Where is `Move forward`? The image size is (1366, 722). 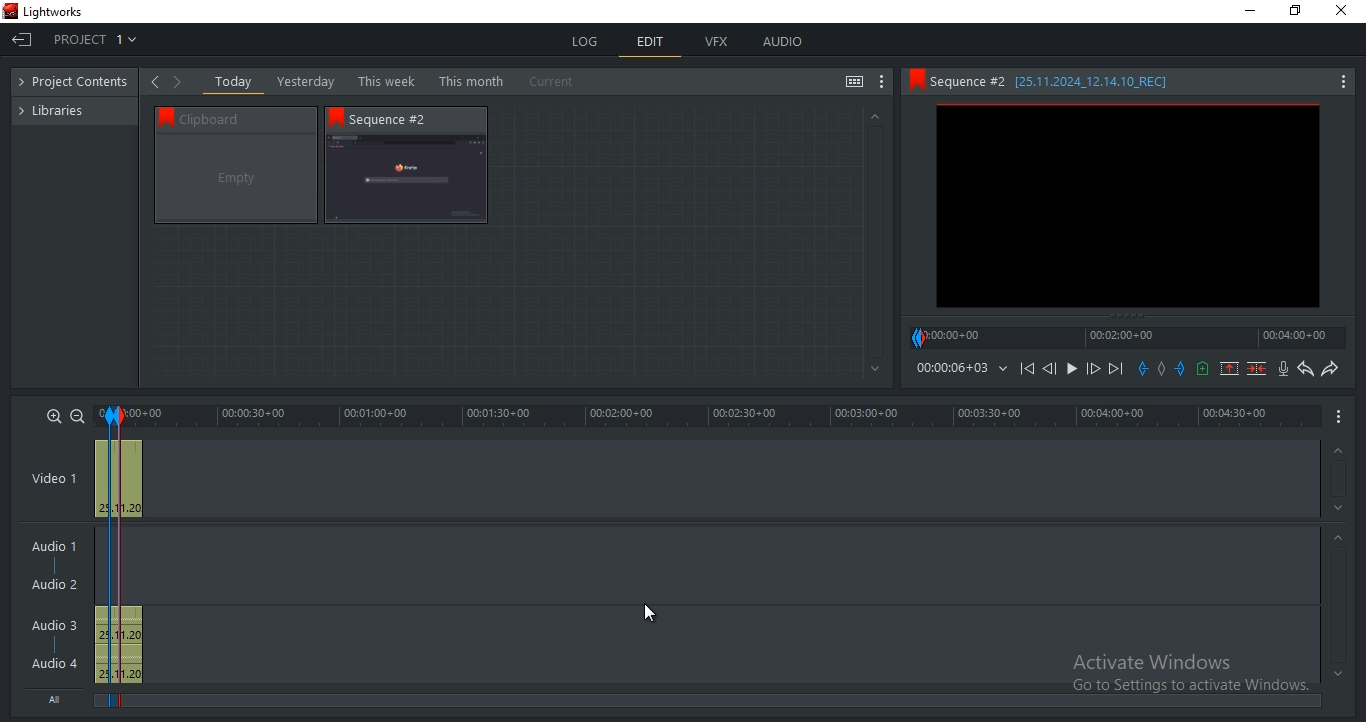 Move forward is located at coordinates (1115, 369).